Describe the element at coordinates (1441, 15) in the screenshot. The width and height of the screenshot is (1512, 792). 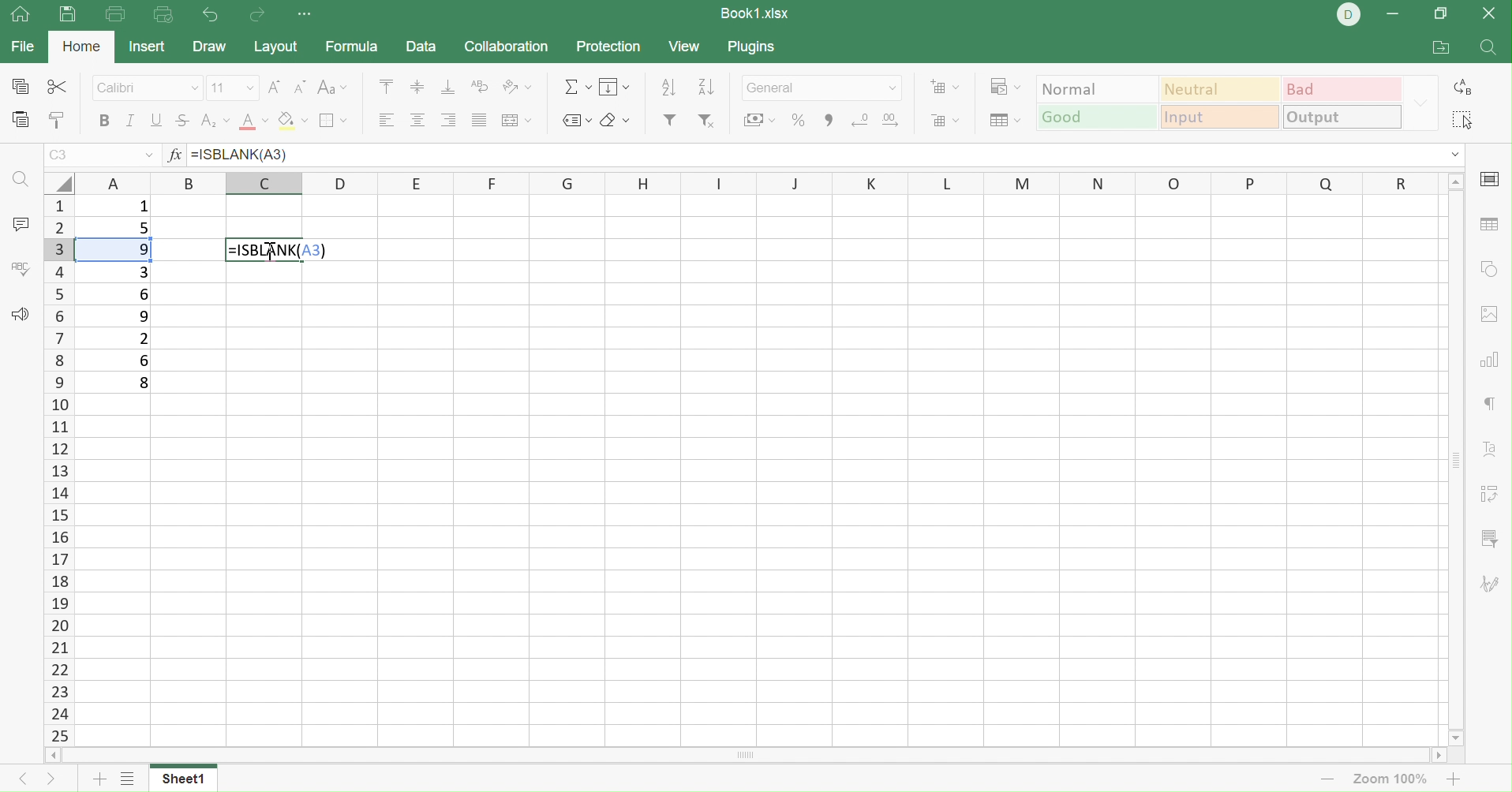
I see `Restore down` at that location.